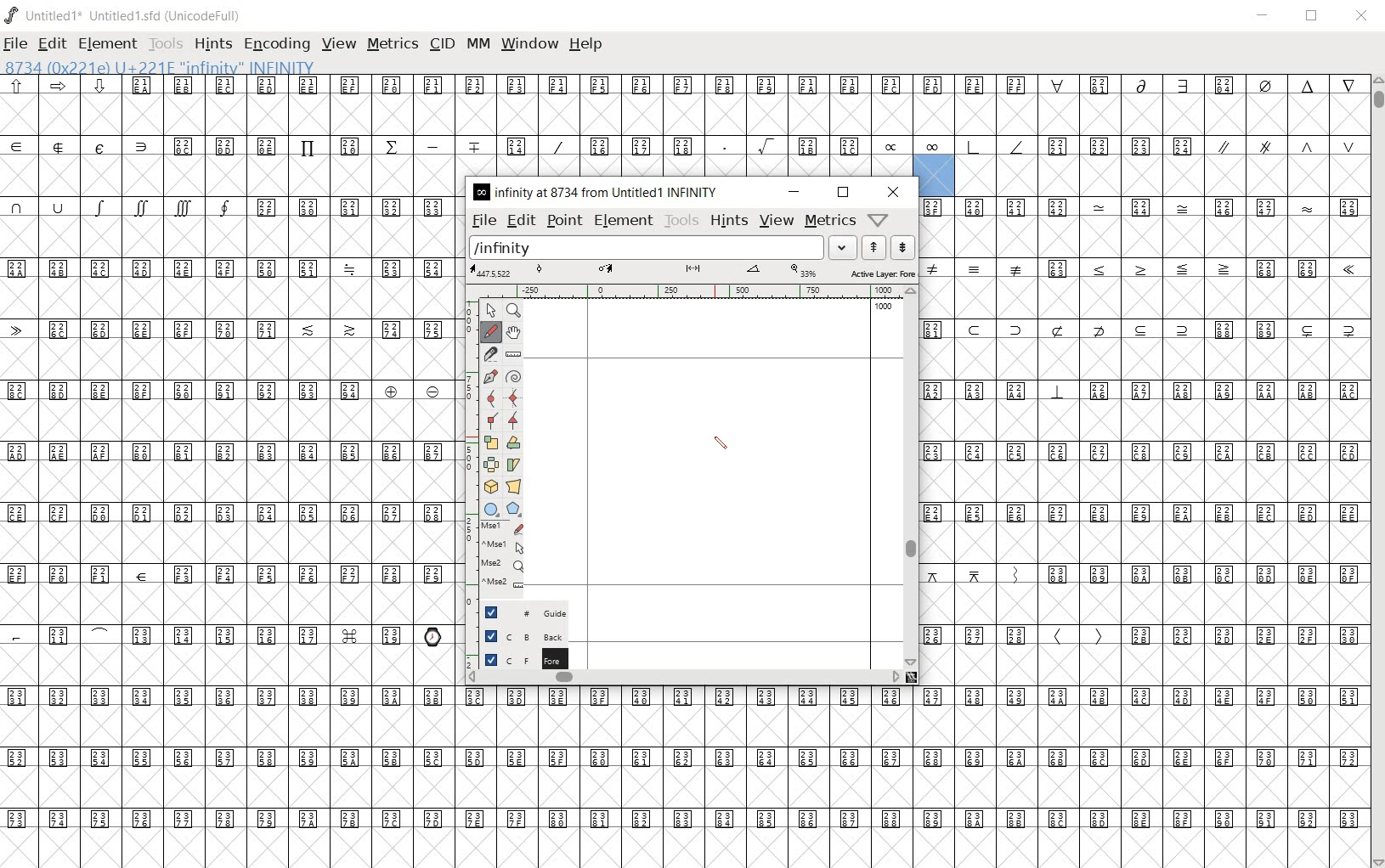 The width and height of the screenshot is (1385, 868). I want to click on scroll by hand, so click(515, 331).